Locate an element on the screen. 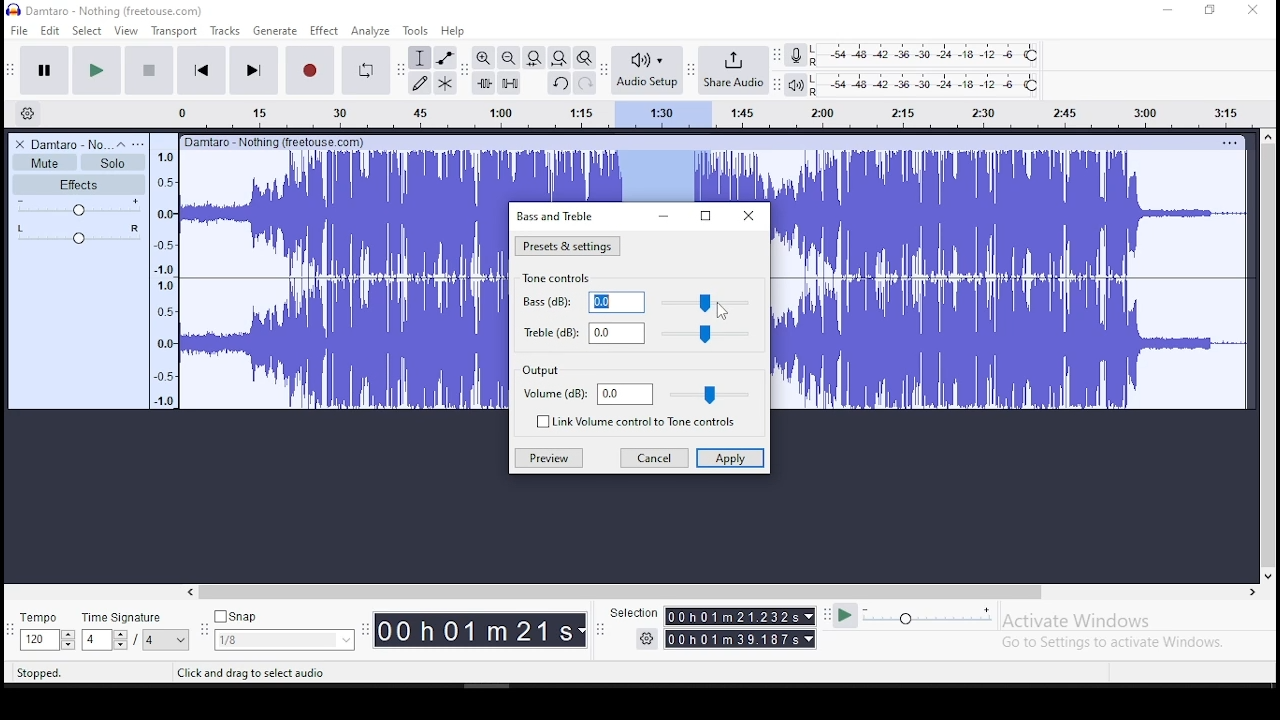  delete track is located at coordinates (21, 144).